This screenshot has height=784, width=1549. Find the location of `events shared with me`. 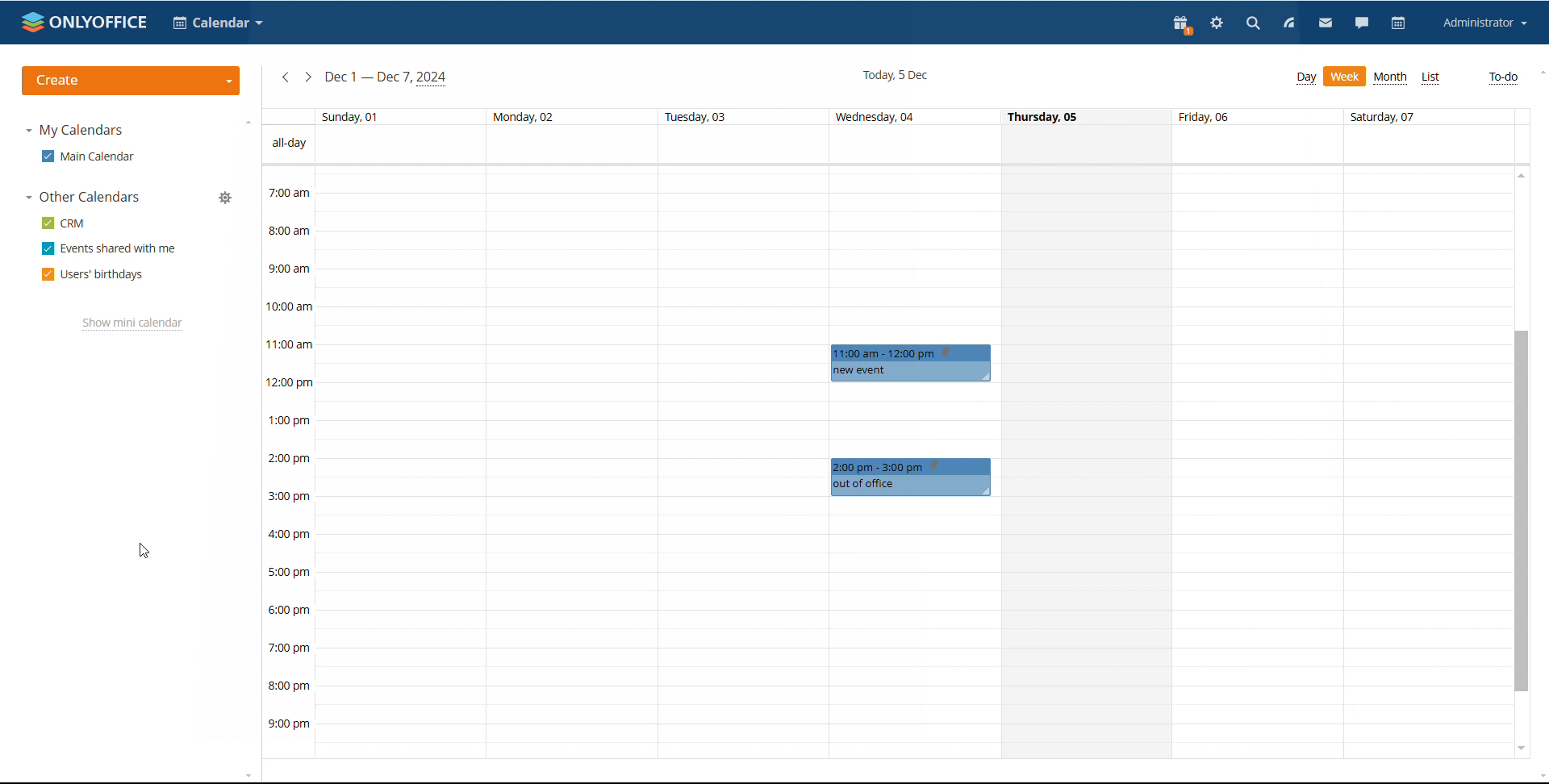

events shared with me is located at coordinates (110, 248).